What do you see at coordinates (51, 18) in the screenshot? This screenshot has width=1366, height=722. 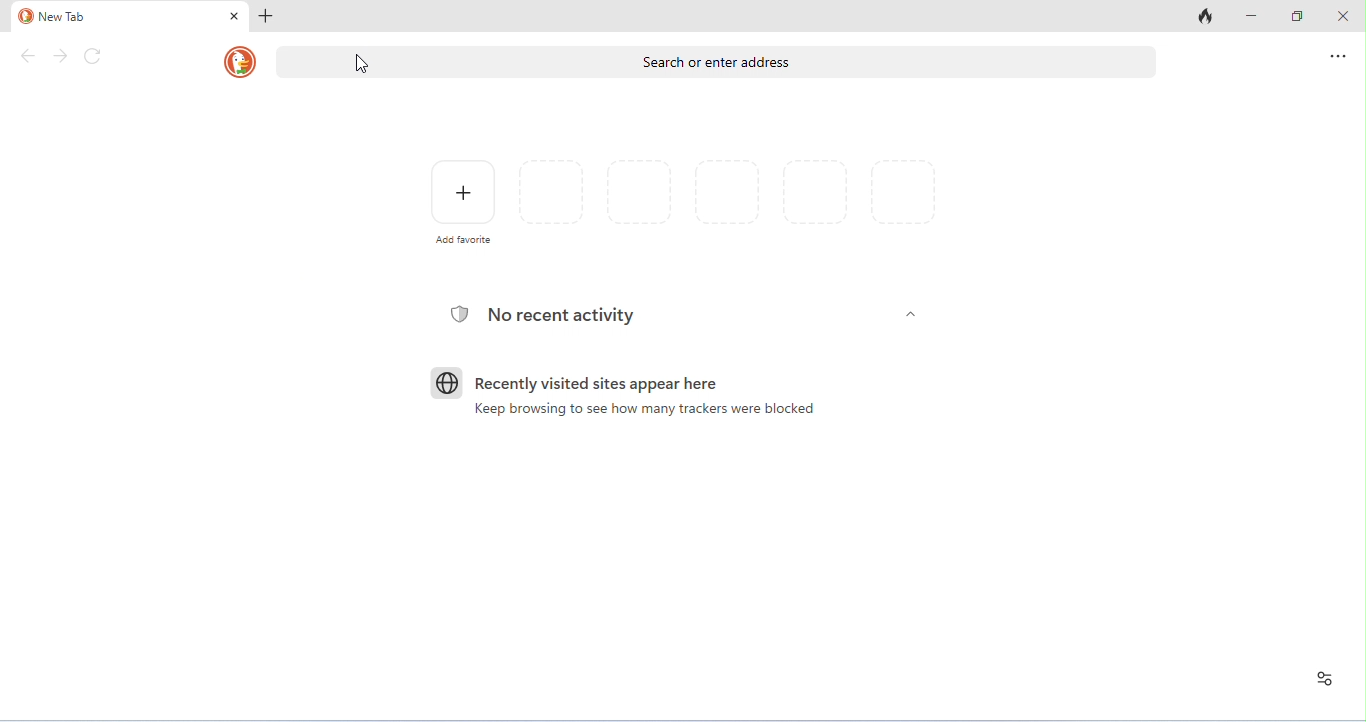 I see `new tab` at bounding box center [51, 18].